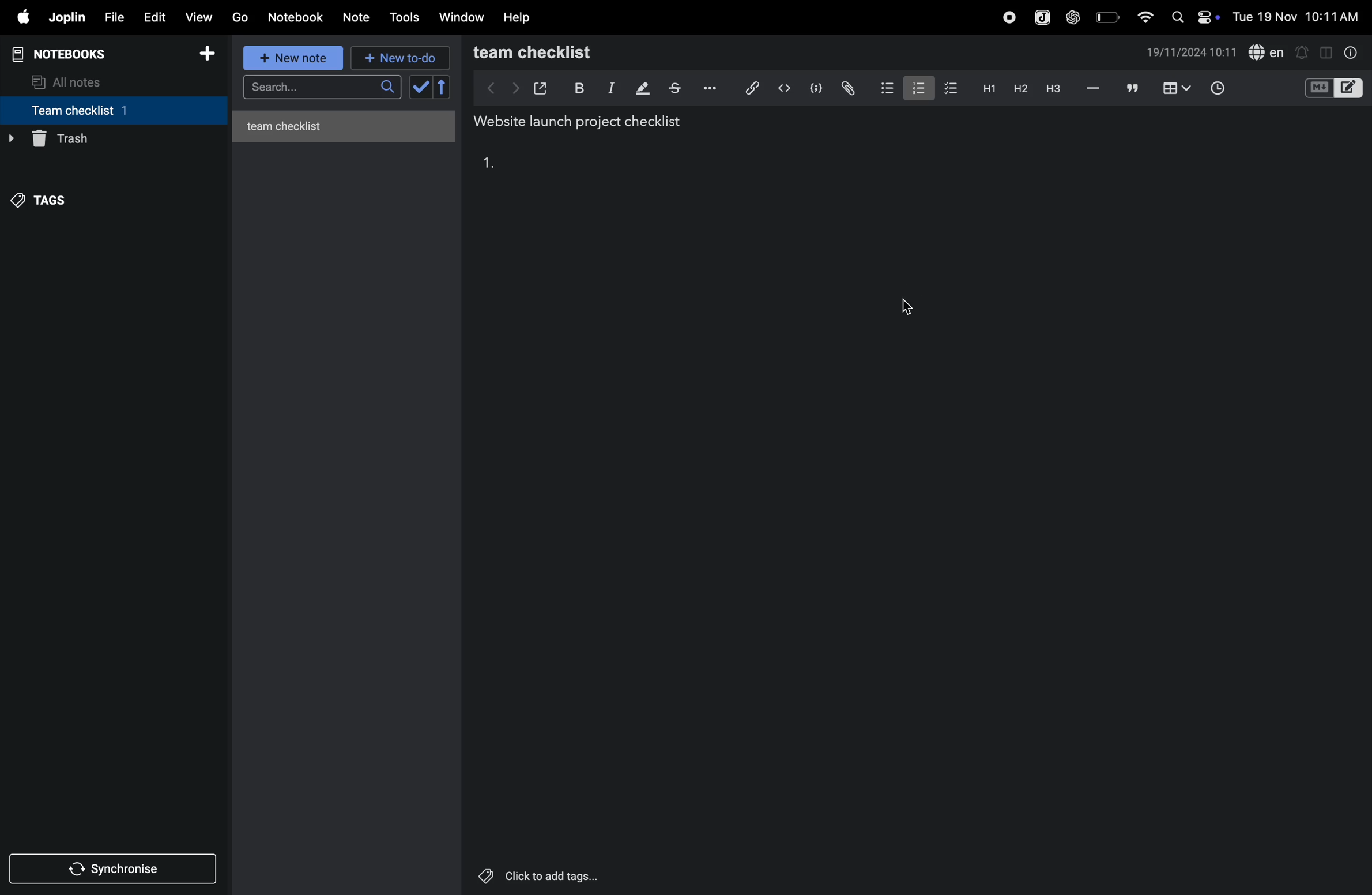 Image resolution: width=1372 pixels, height=895 pixels. Describe the element at coordinates (201, 16) in the screenshot. I see `view` at that location.